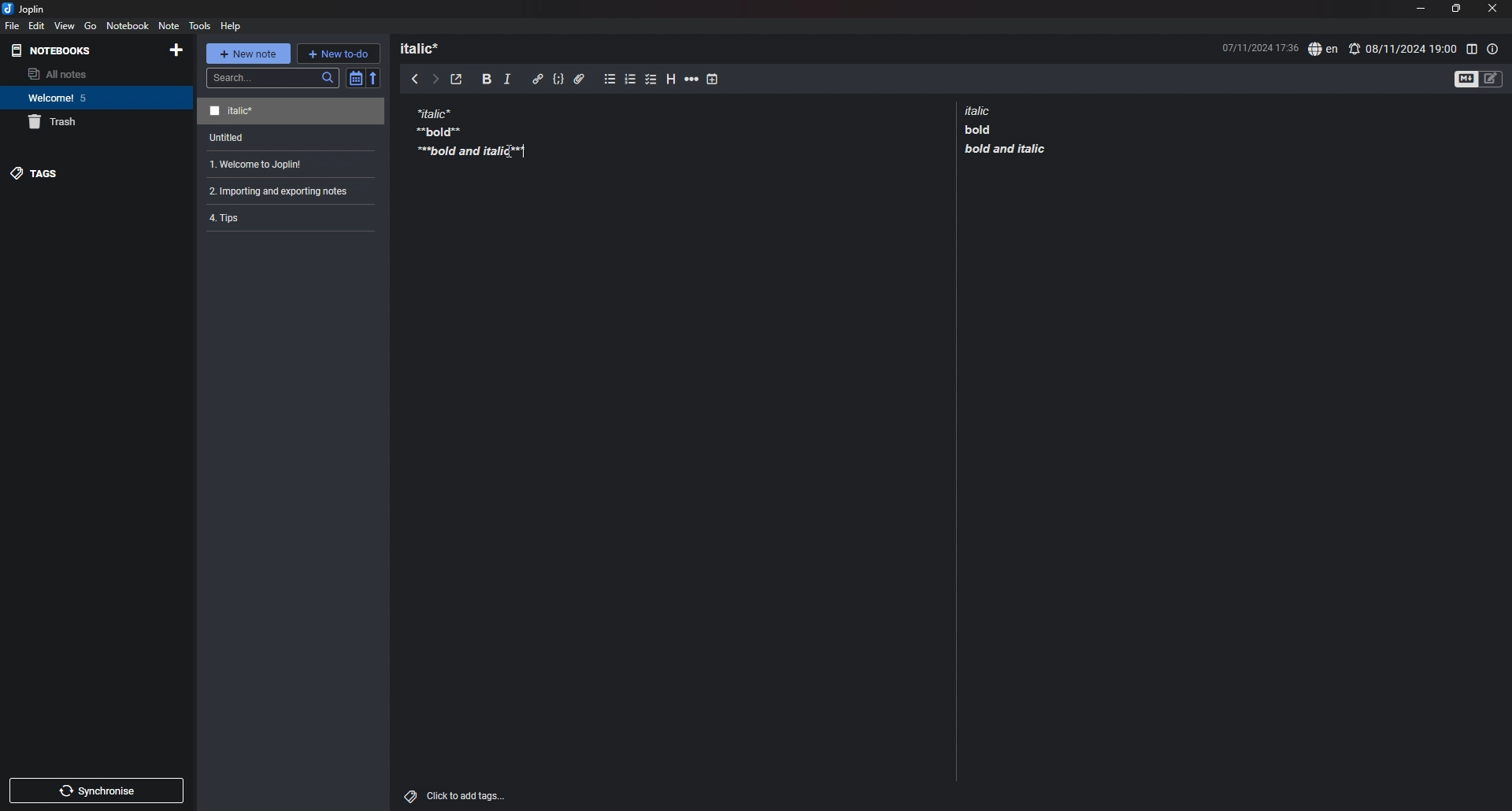  Describe the element at coordinates (507, 82) in the screenshot. I see `italic` at that location.